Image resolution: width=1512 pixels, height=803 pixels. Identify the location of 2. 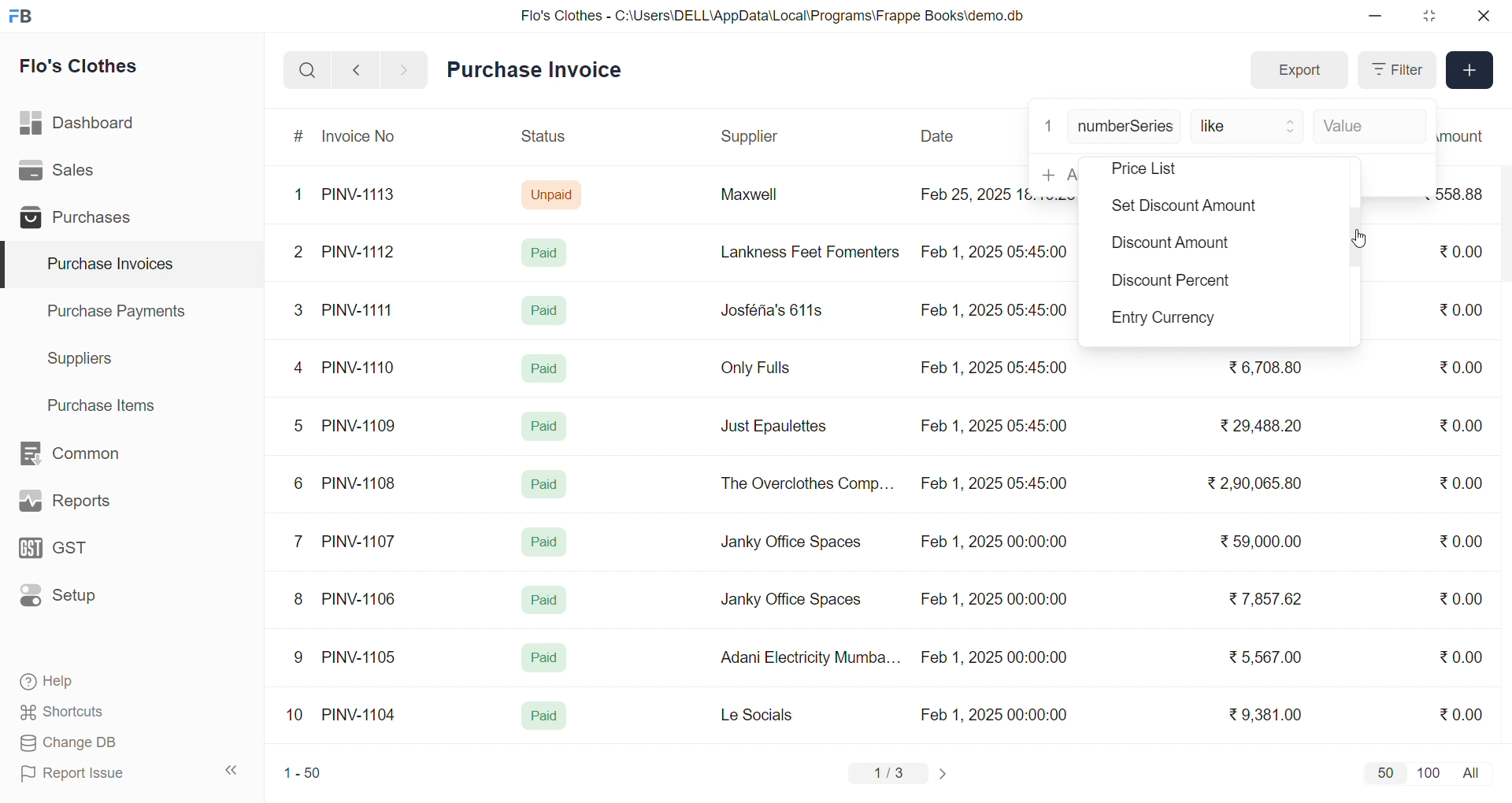
(301, 254).